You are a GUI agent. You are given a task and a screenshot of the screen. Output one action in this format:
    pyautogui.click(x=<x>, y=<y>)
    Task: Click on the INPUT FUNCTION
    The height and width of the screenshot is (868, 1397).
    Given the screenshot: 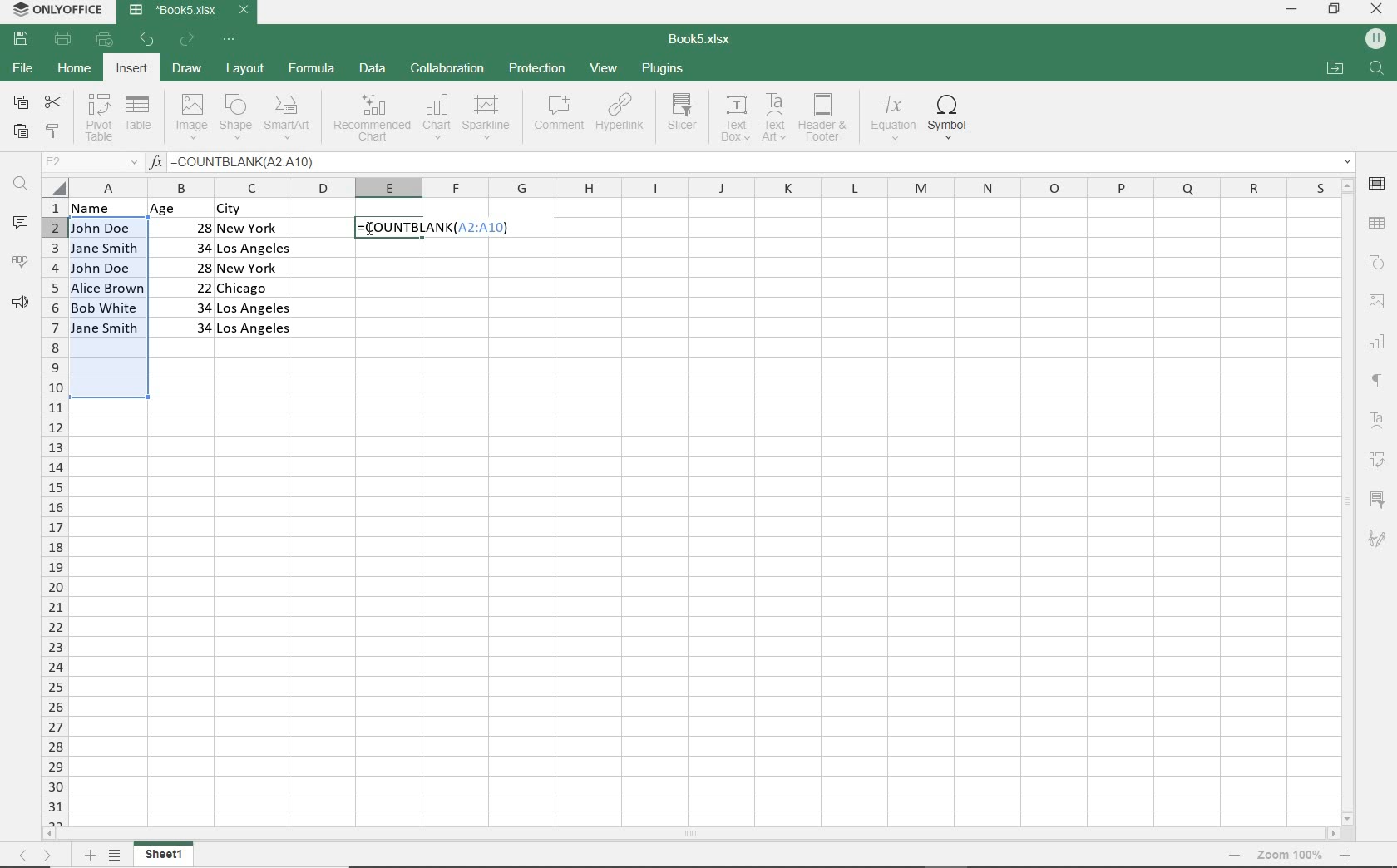 What is the action you would take?
    pyautogui.click(x=751, y=160)
    